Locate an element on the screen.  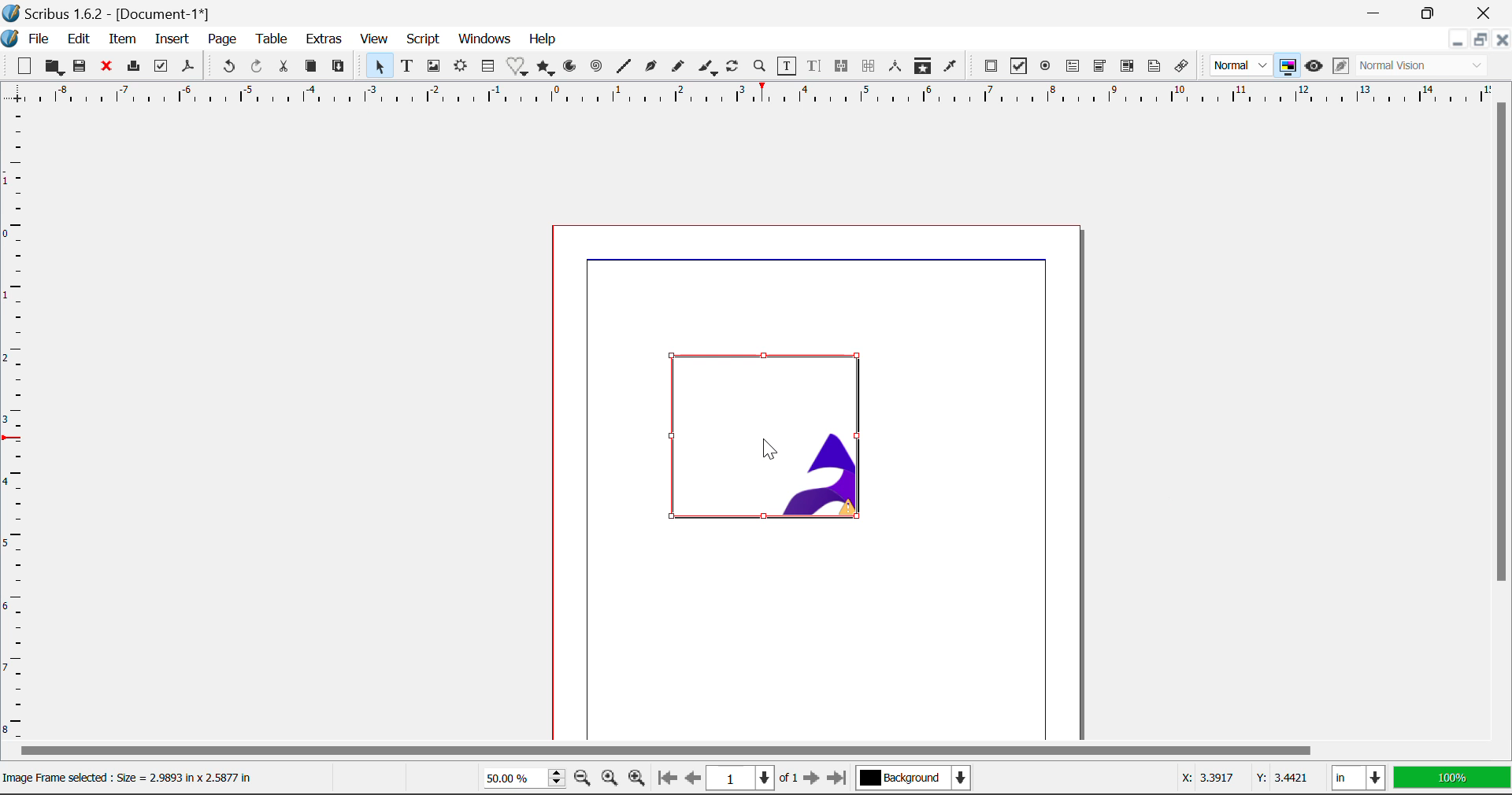
Freehand Line is located at coordinates (680, 68).